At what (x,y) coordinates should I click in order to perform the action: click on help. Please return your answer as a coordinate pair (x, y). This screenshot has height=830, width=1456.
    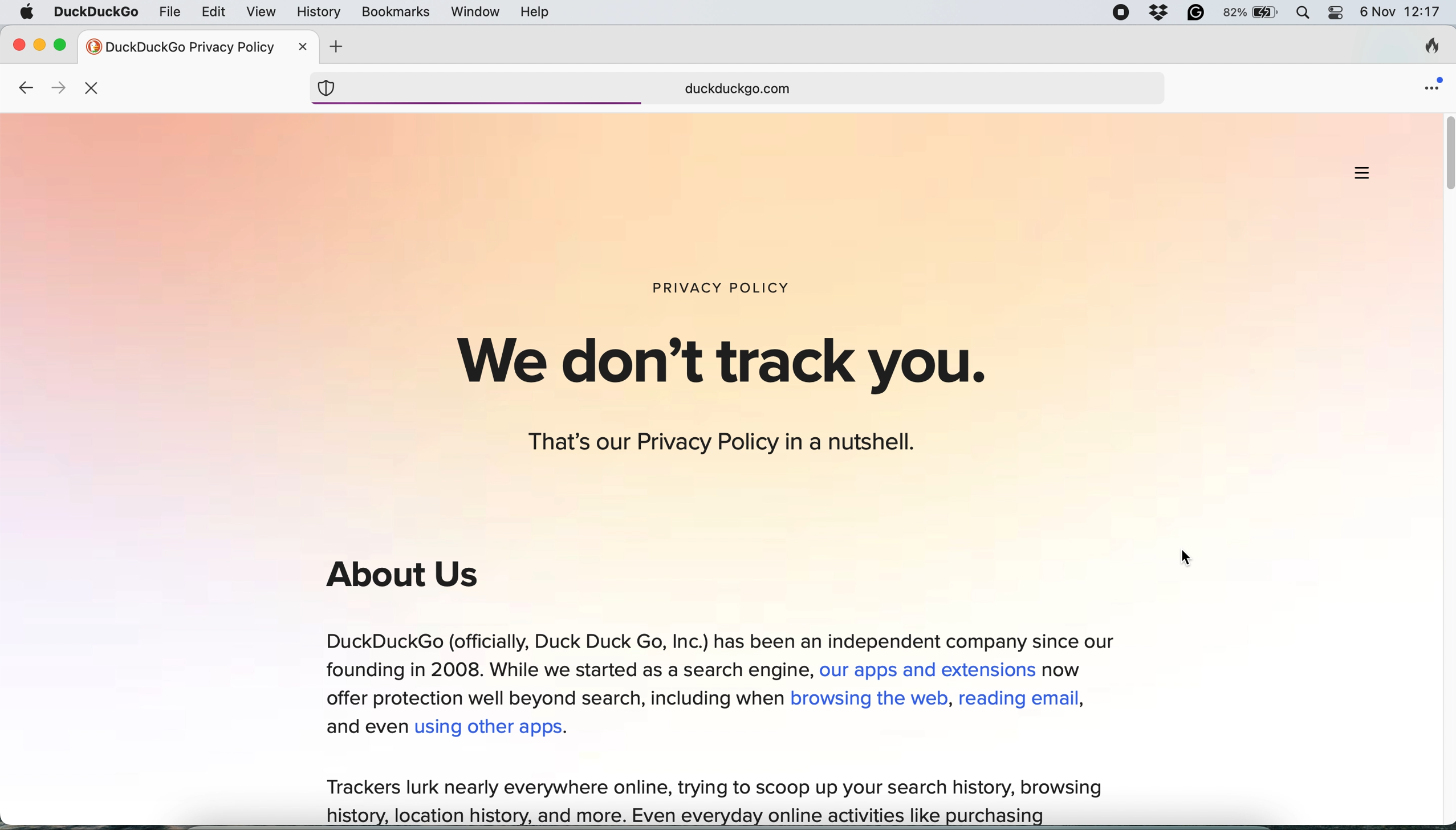
    Looking at the image, I should click on (534, 13).